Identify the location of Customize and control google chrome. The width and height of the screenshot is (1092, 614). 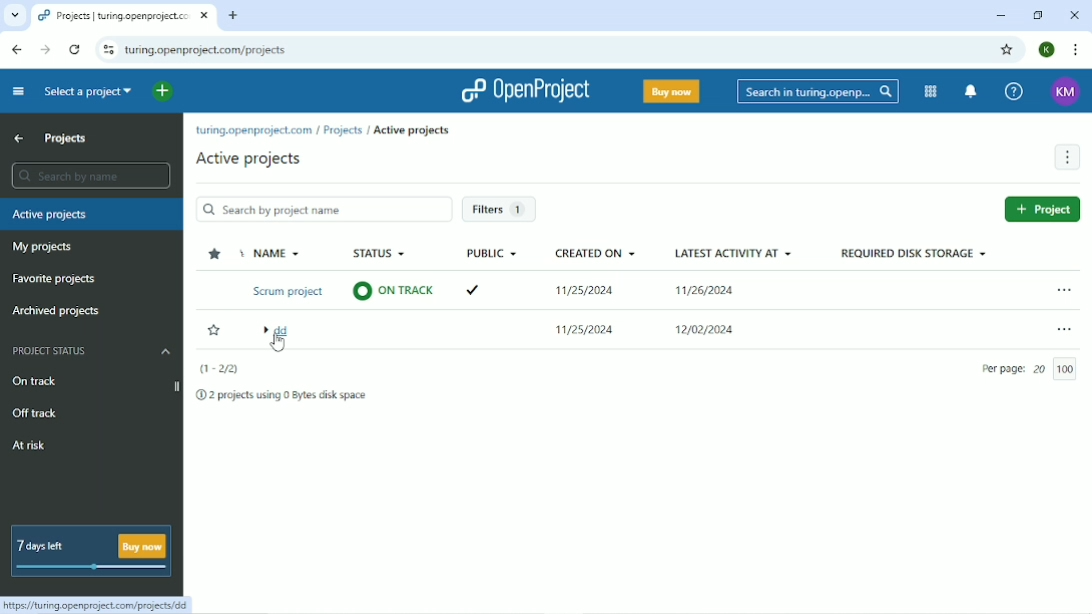
(1074, 50).